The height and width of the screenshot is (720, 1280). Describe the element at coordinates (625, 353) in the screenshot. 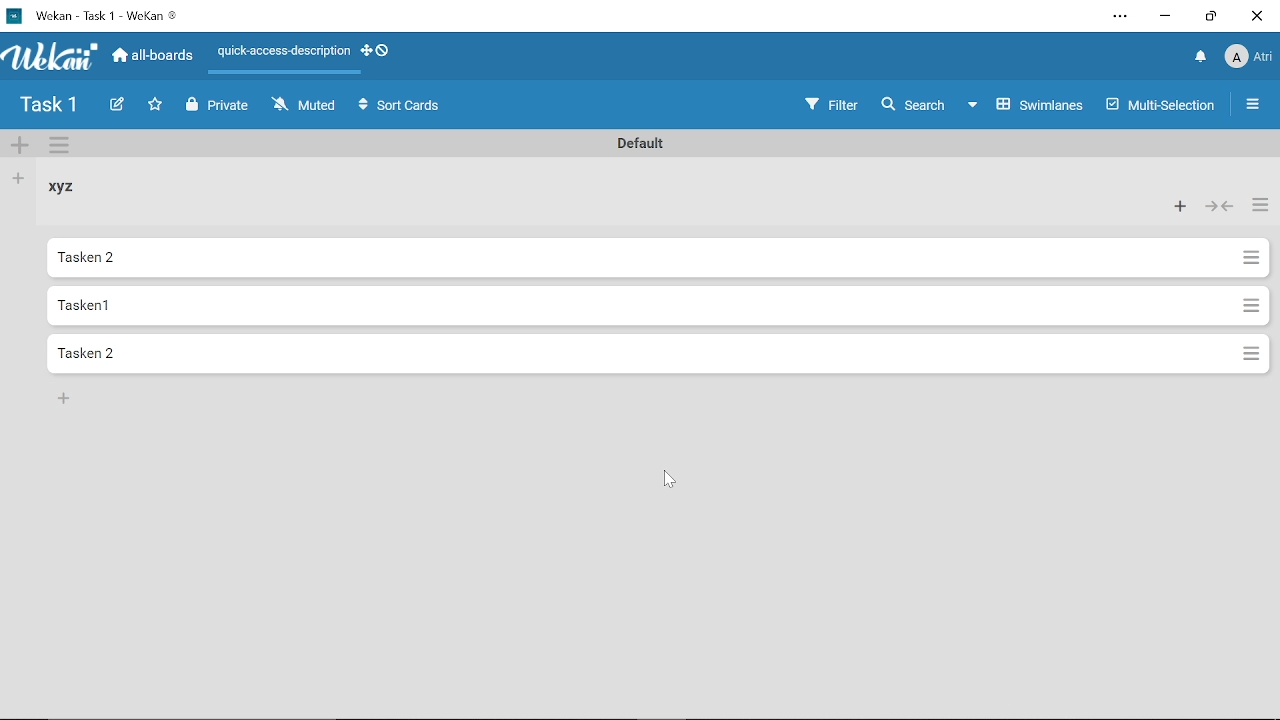

I see `Tasken 3` at that location.